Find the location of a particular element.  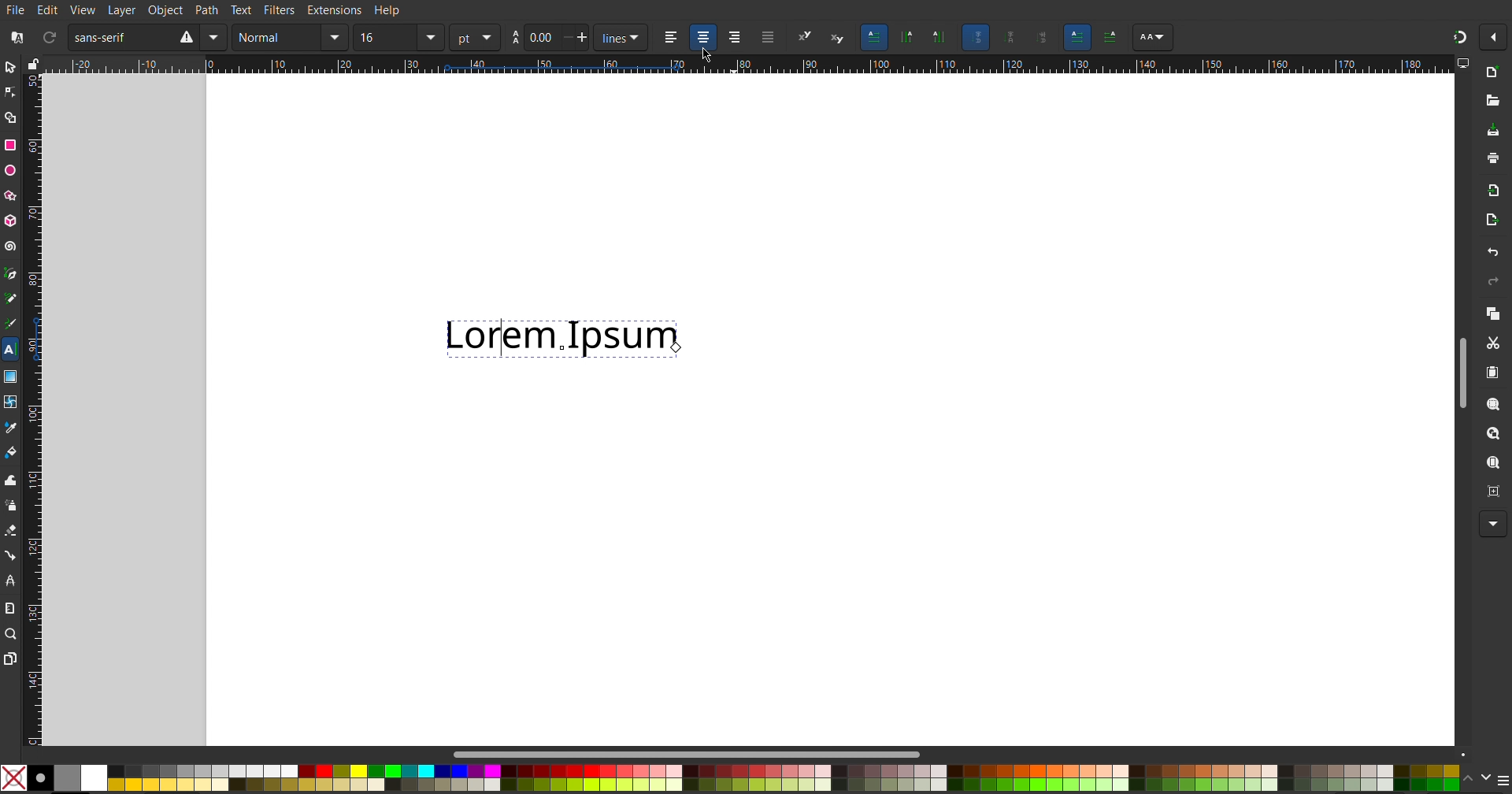

Erase Tool is located at coordinates (14, 531).